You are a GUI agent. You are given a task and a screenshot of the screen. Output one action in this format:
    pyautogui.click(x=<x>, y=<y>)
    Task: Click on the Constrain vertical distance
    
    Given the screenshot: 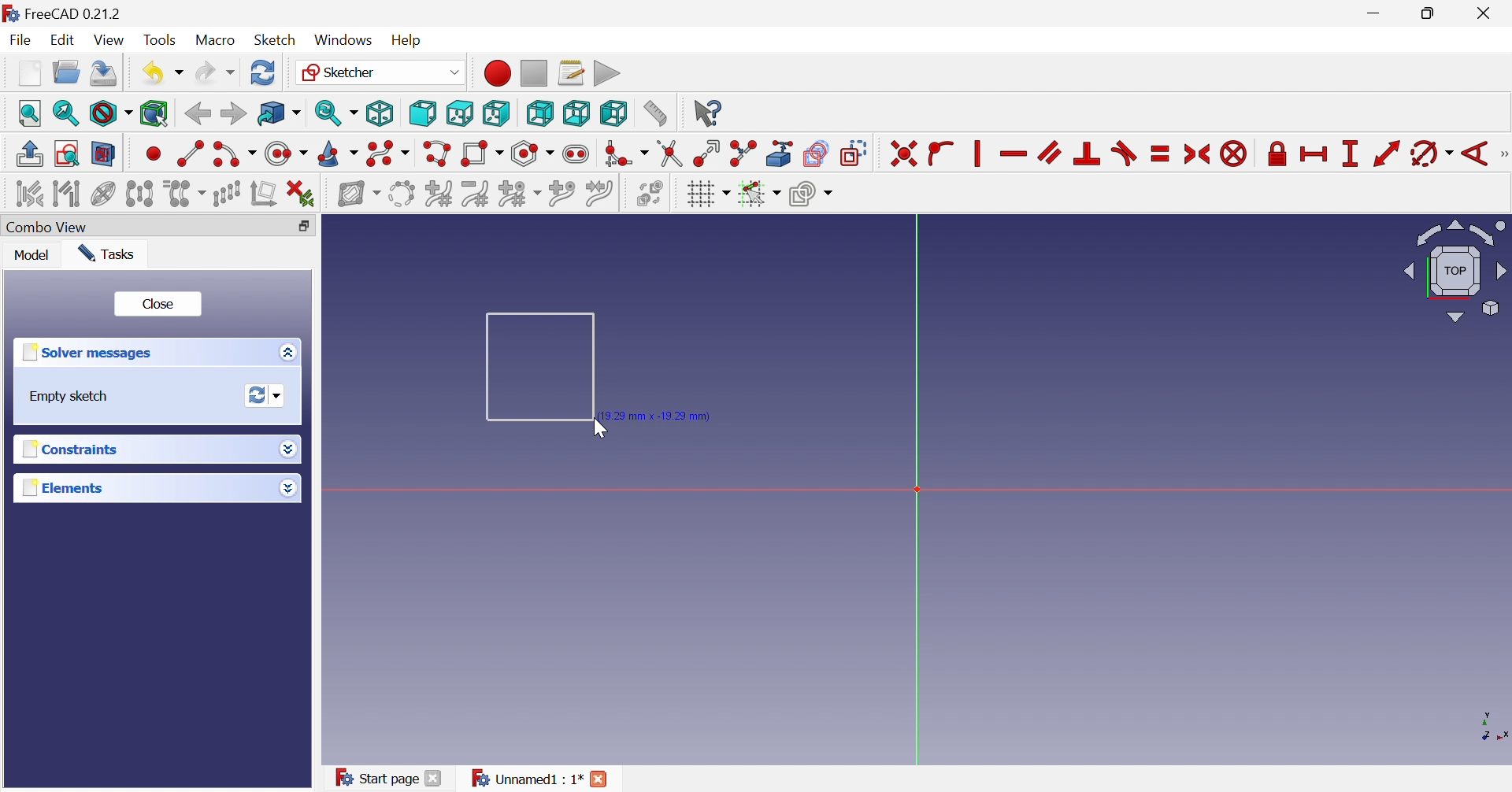 What is the action you would take?
    pyautogui.click(x=1349, y=154)
    